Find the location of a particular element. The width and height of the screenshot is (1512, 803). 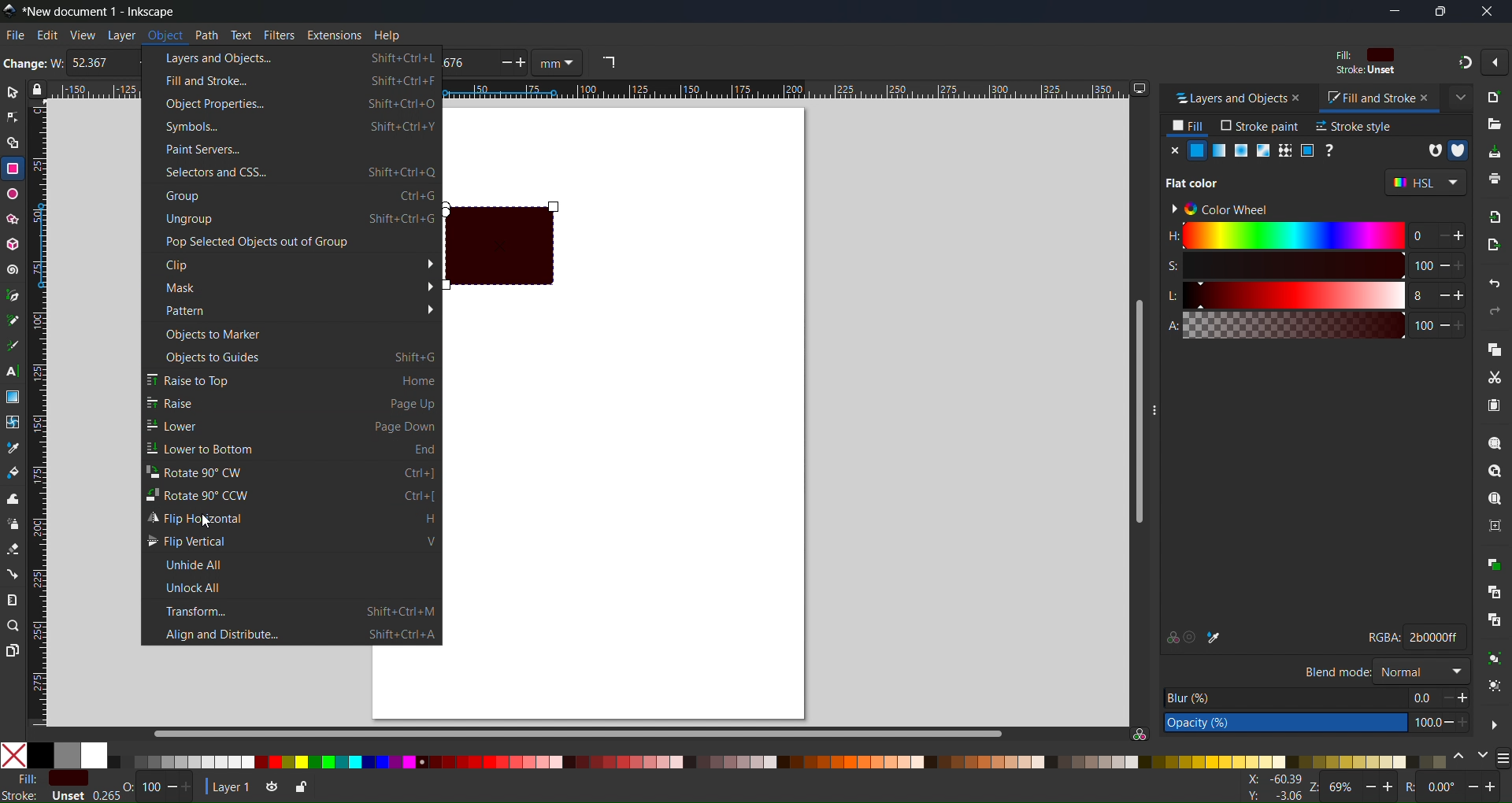

Toggle lock is located at coordinates (41, 90).